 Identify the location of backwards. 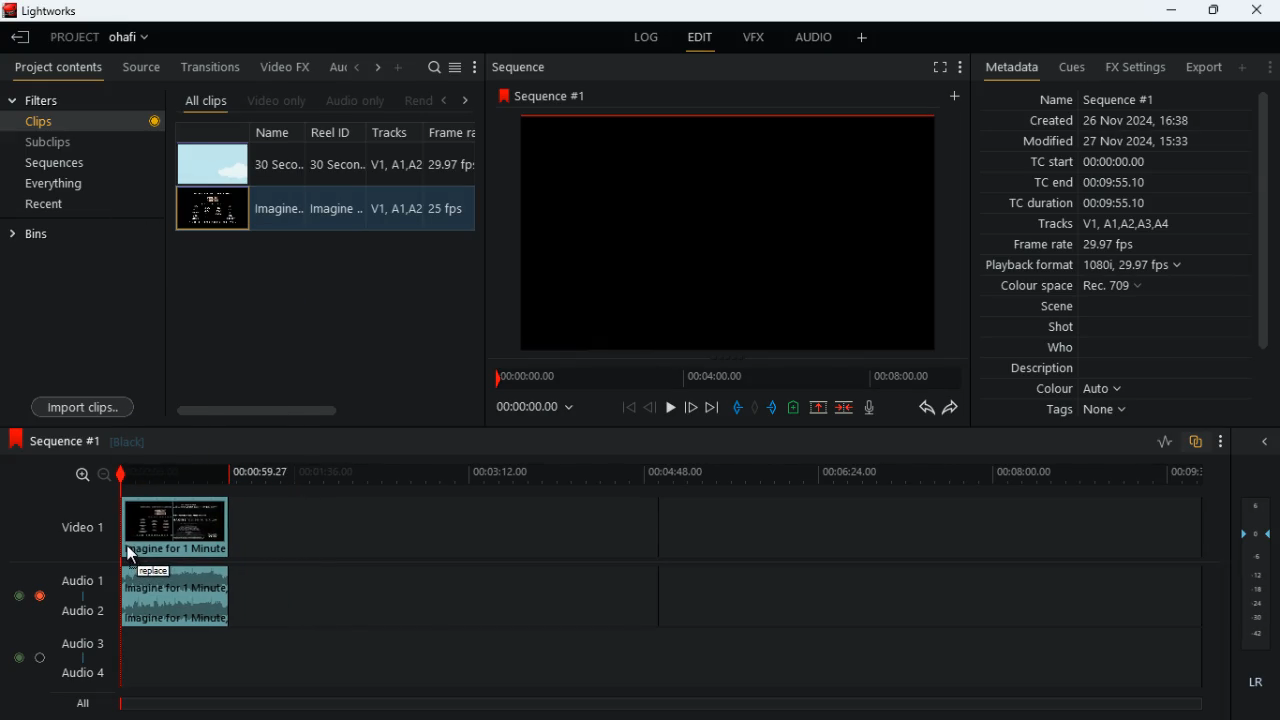
(924, 408).